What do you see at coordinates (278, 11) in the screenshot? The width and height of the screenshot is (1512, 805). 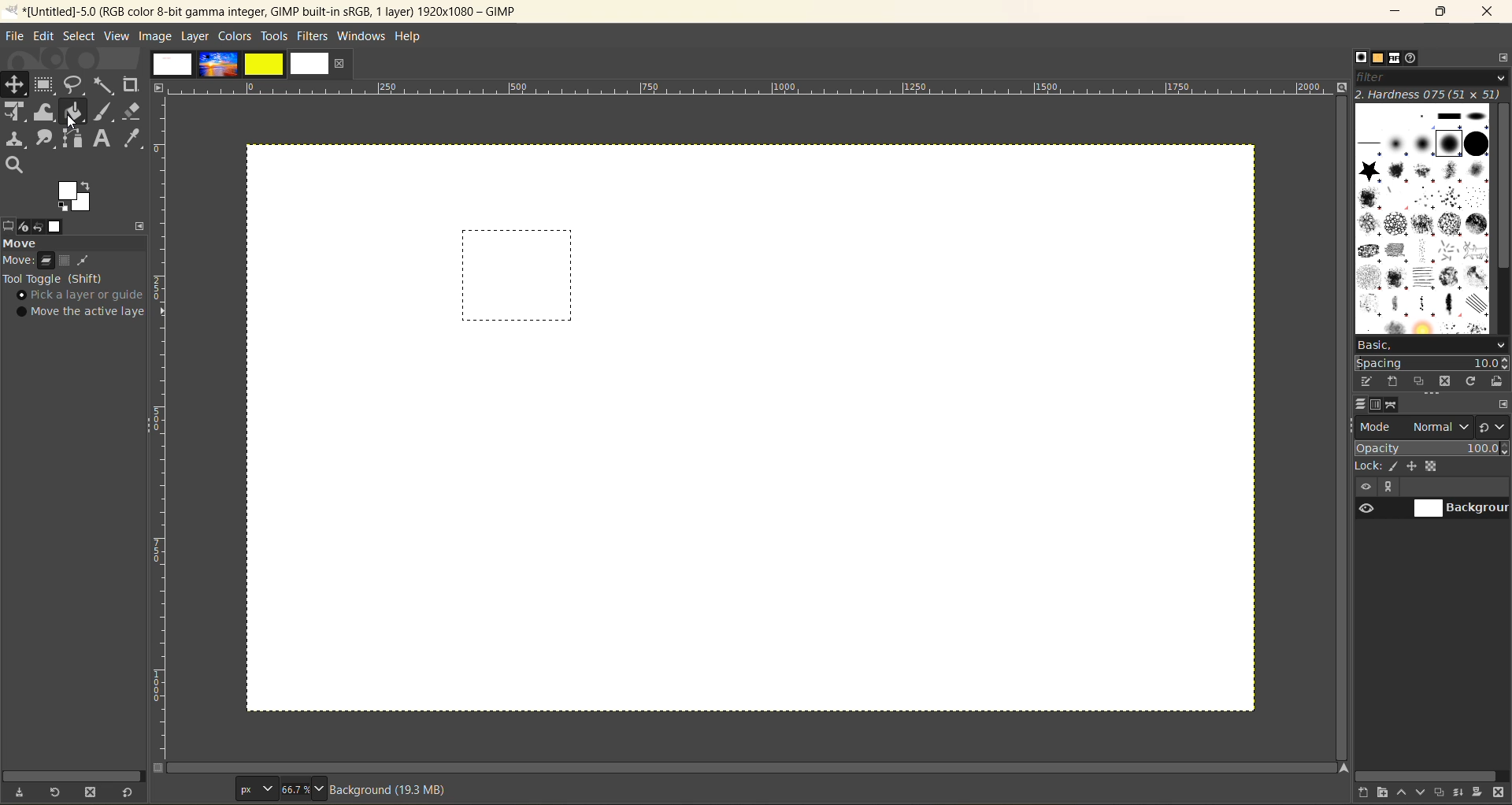 I see `file name and app name` at bounding box center [278, 11].